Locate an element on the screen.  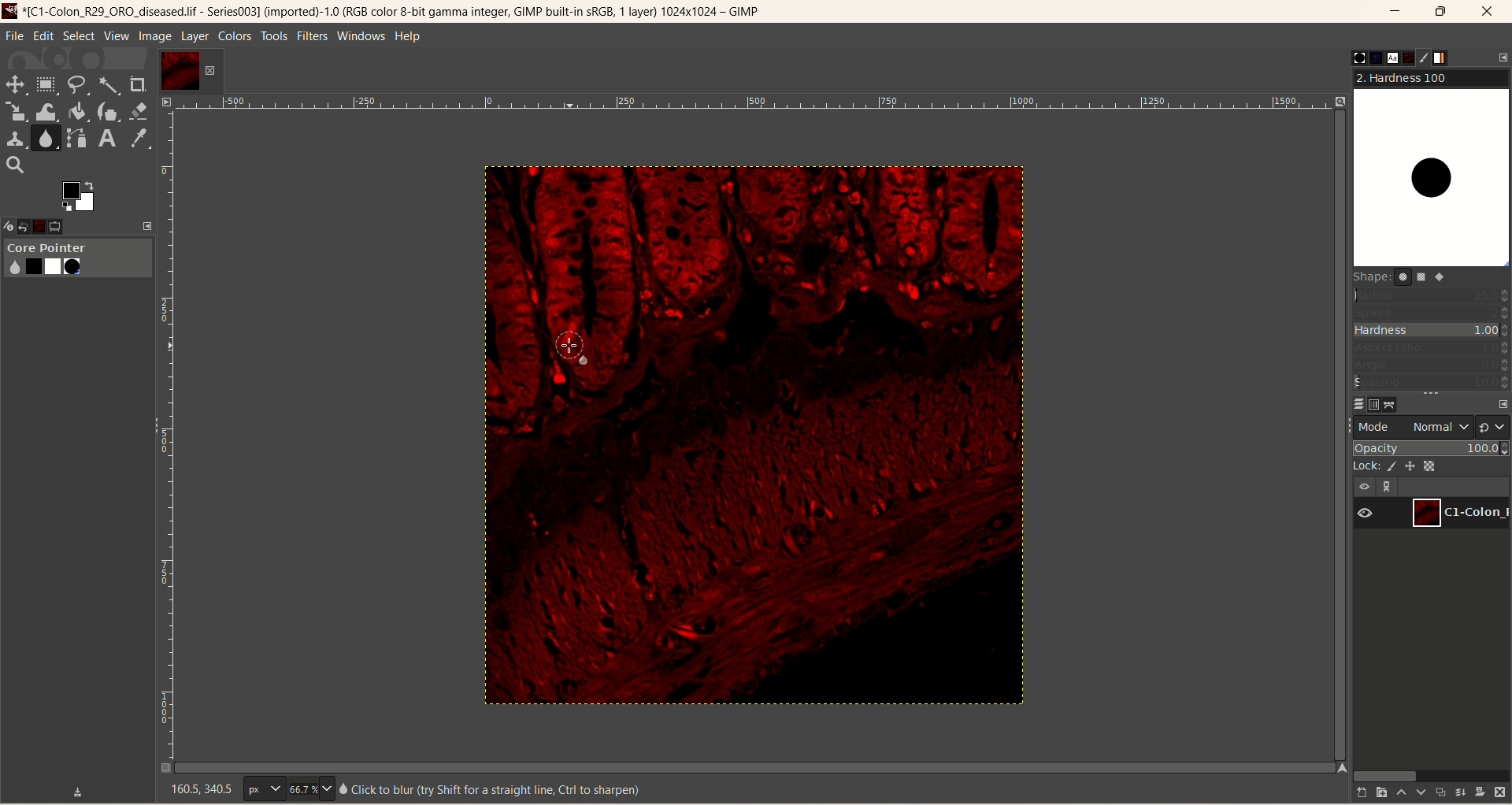
configure this tab is located at coordinates (1502, 404).